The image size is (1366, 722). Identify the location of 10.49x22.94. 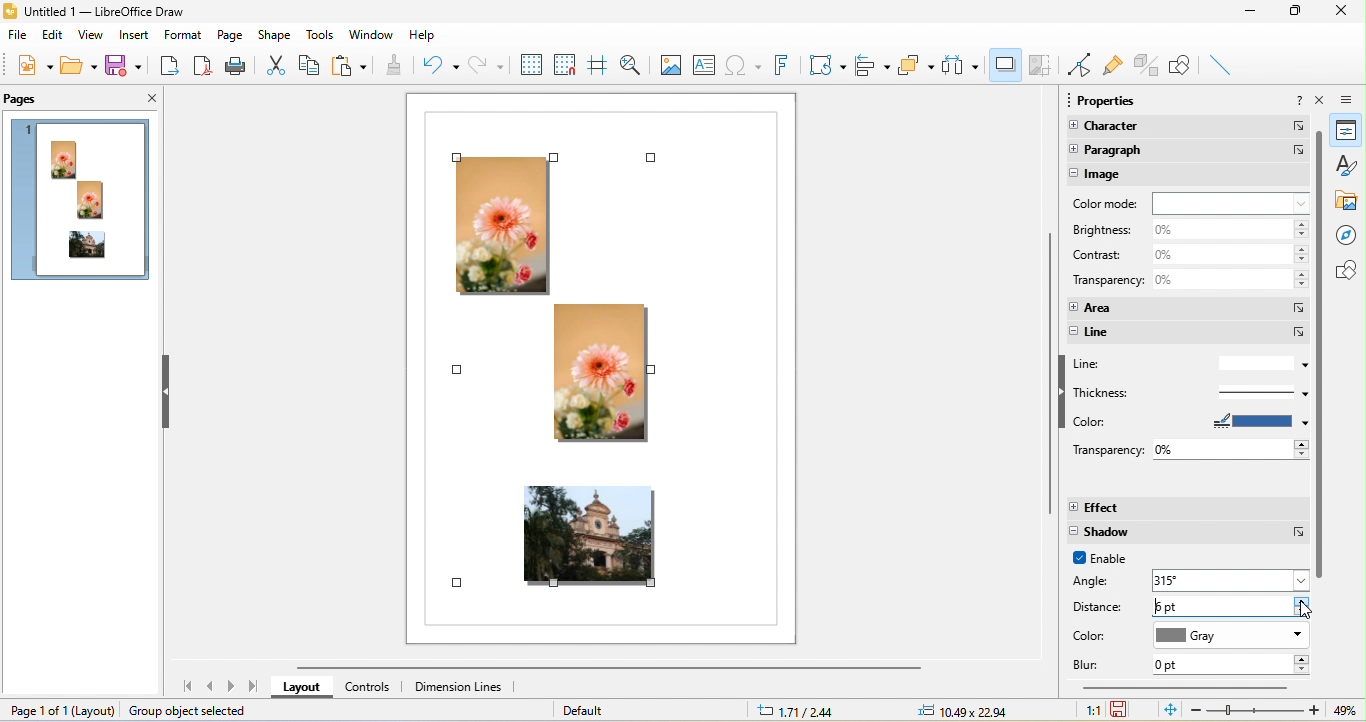
(963, 710).